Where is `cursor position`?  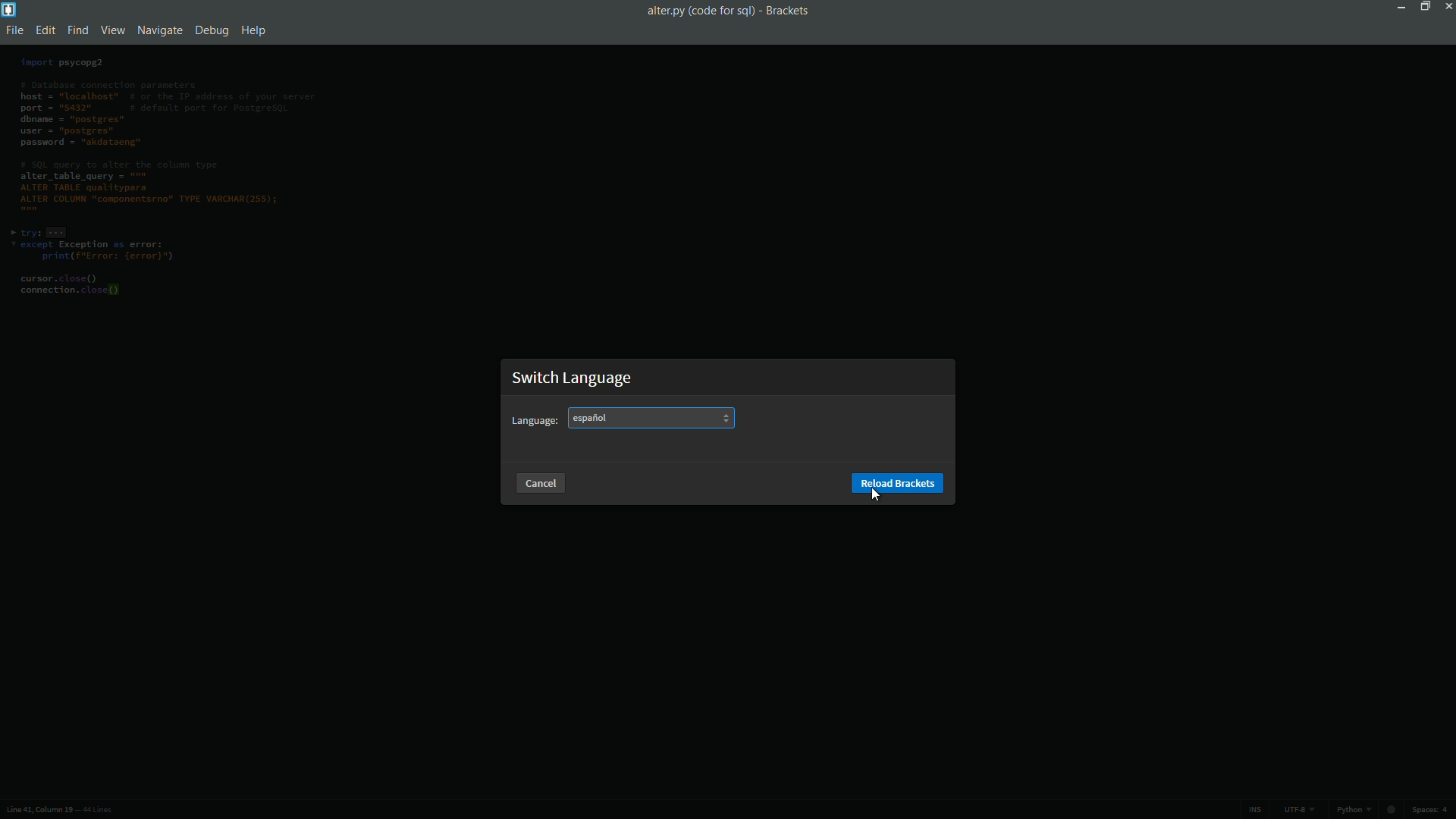 cursor position is located at coordinates (36, 810).